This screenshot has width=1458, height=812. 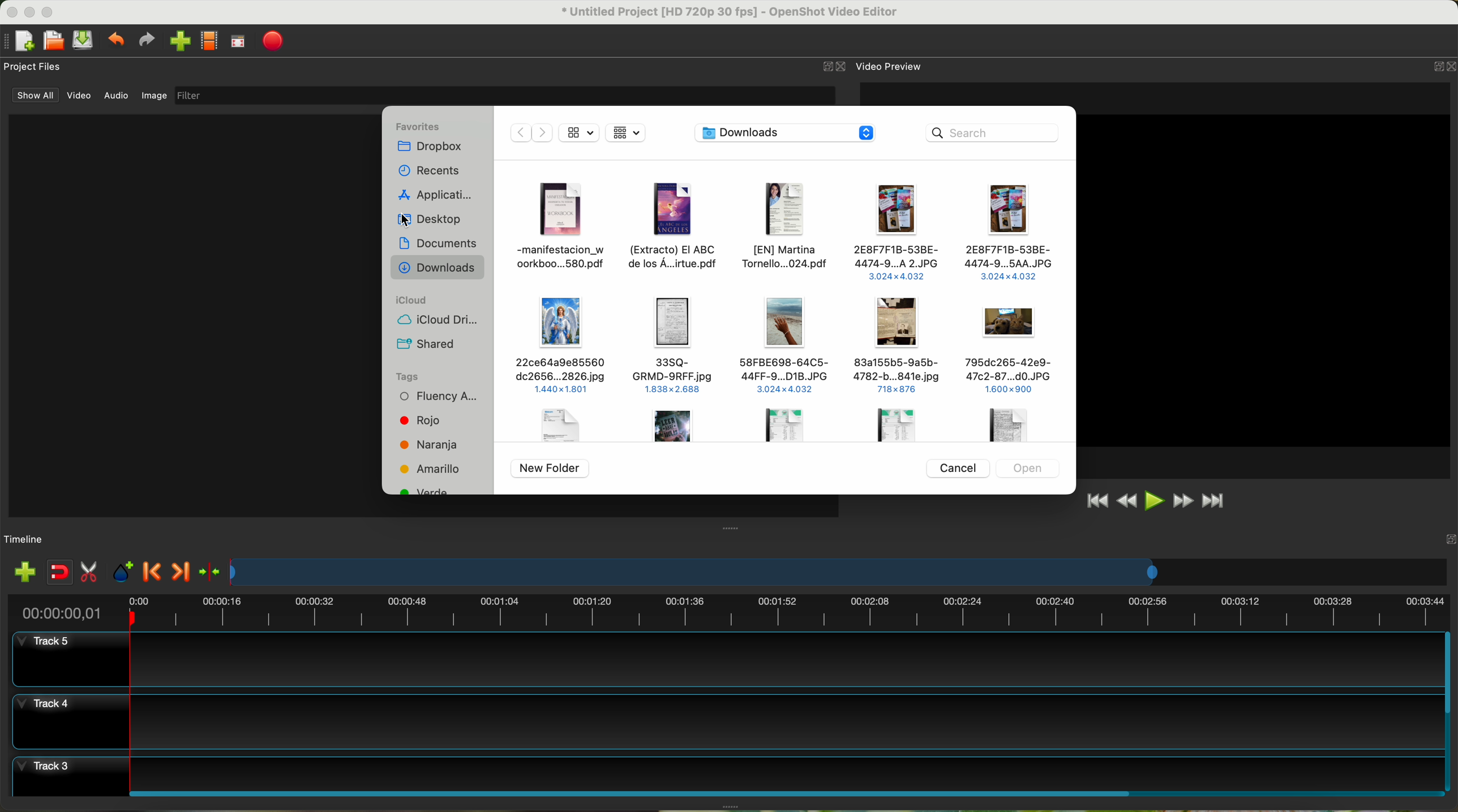 I want to click on file, so click(x=674, y=345).